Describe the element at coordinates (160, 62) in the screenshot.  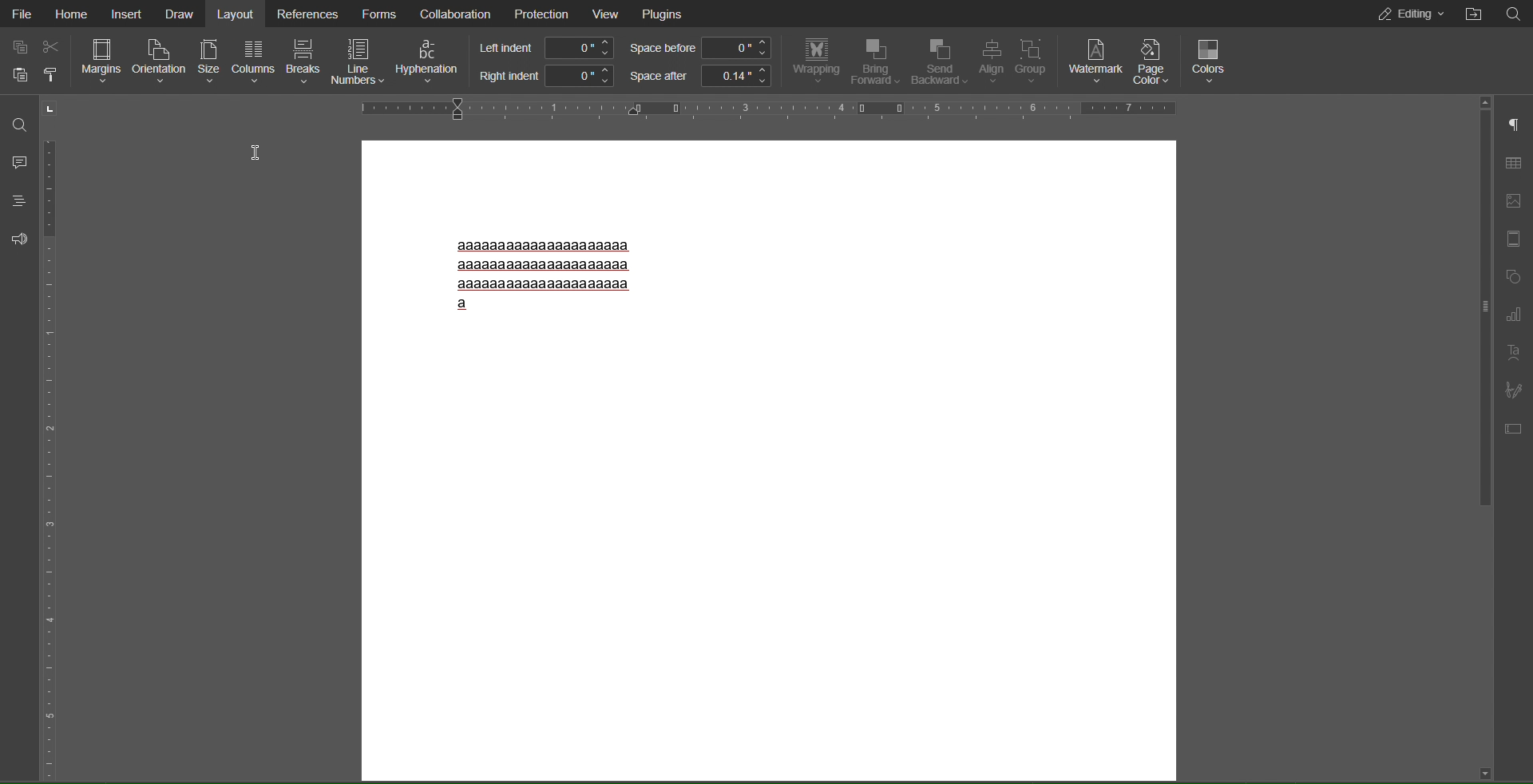
I see `Orientation` at that location.